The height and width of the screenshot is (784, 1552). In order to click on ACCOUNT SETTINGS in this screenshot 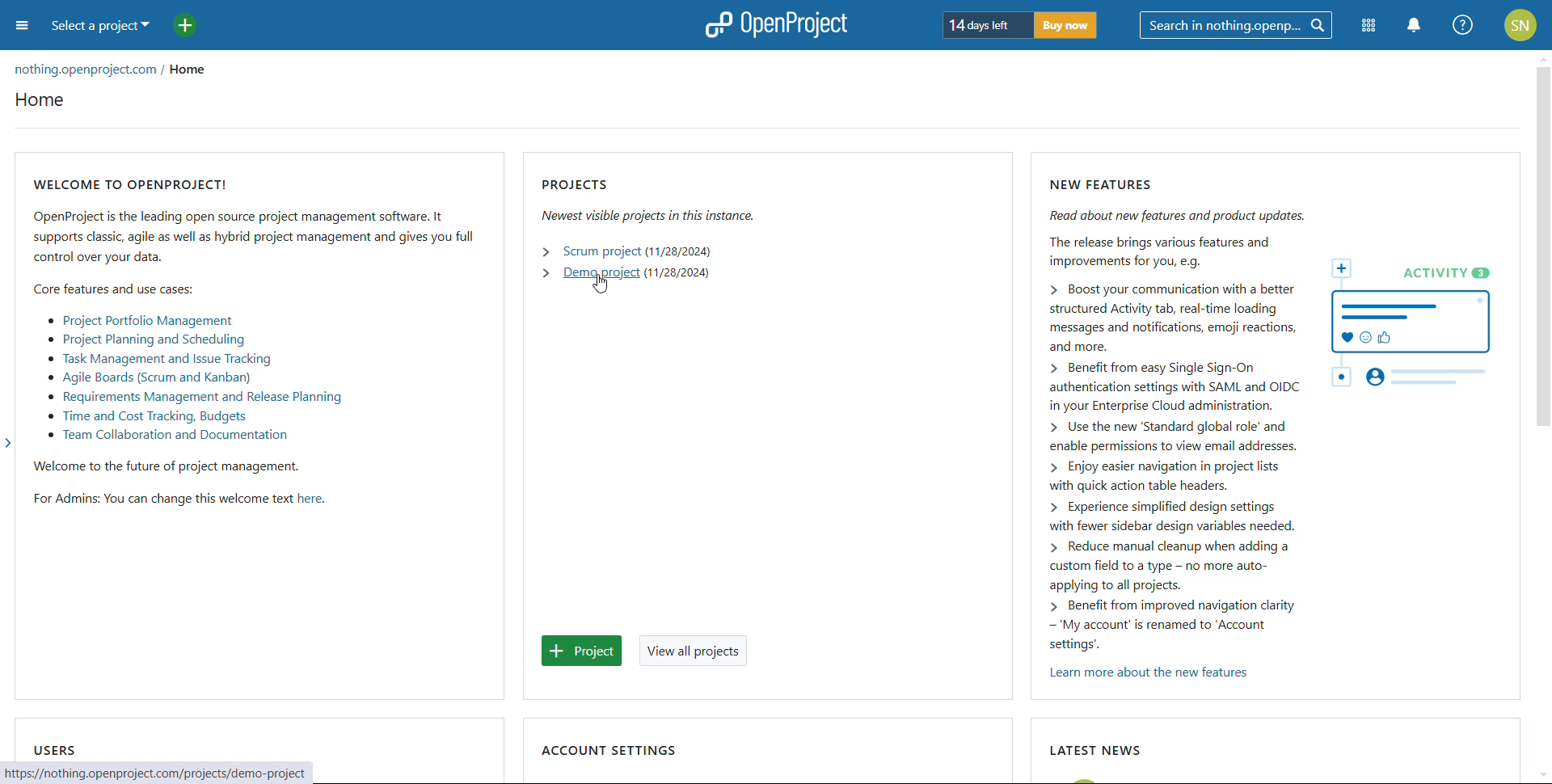, I will do `click(613, 744)`.